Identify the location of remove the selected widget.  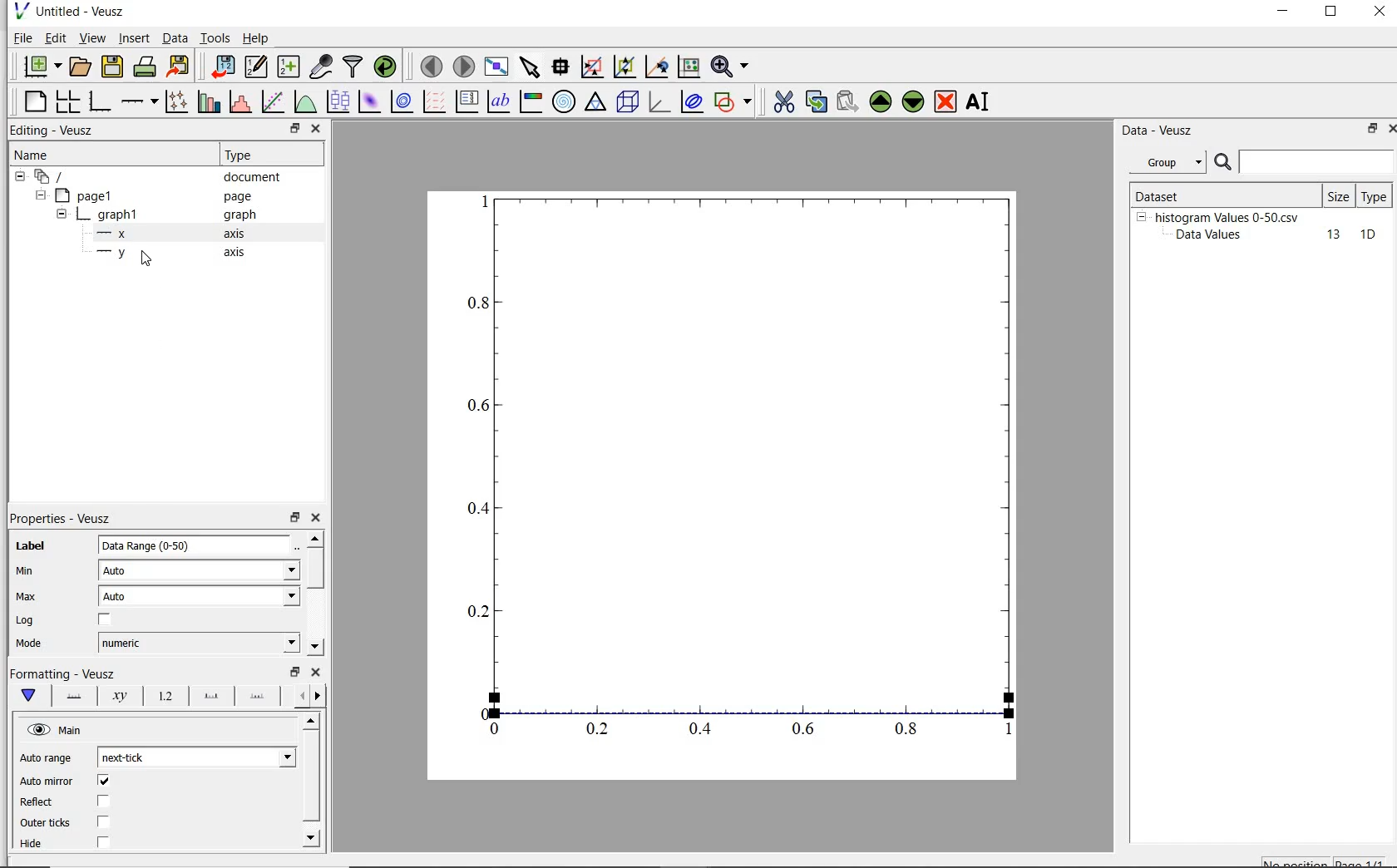
(945, 103).